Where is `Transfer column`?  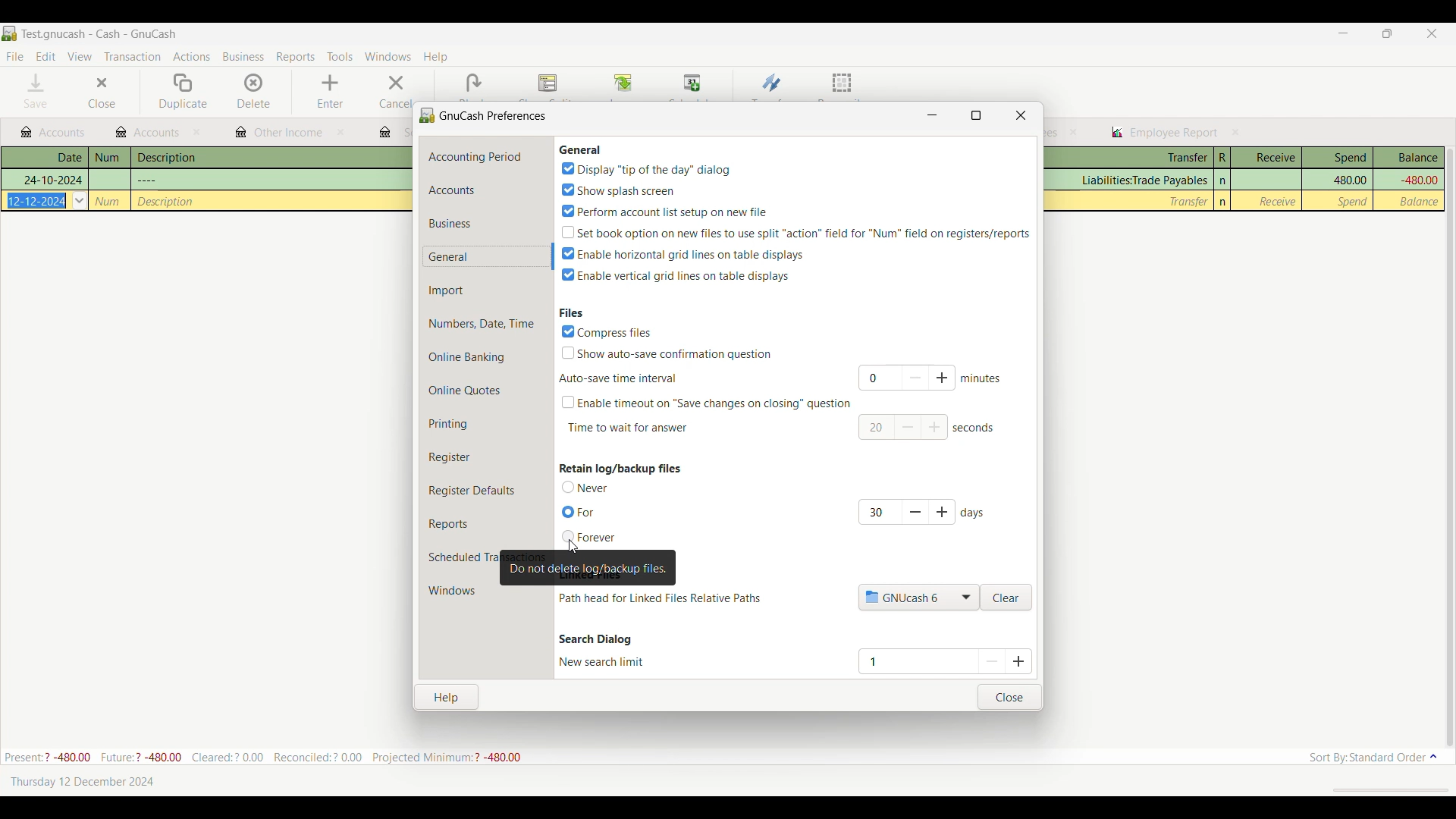
Transfer column is located at coordinates (1130, 158).